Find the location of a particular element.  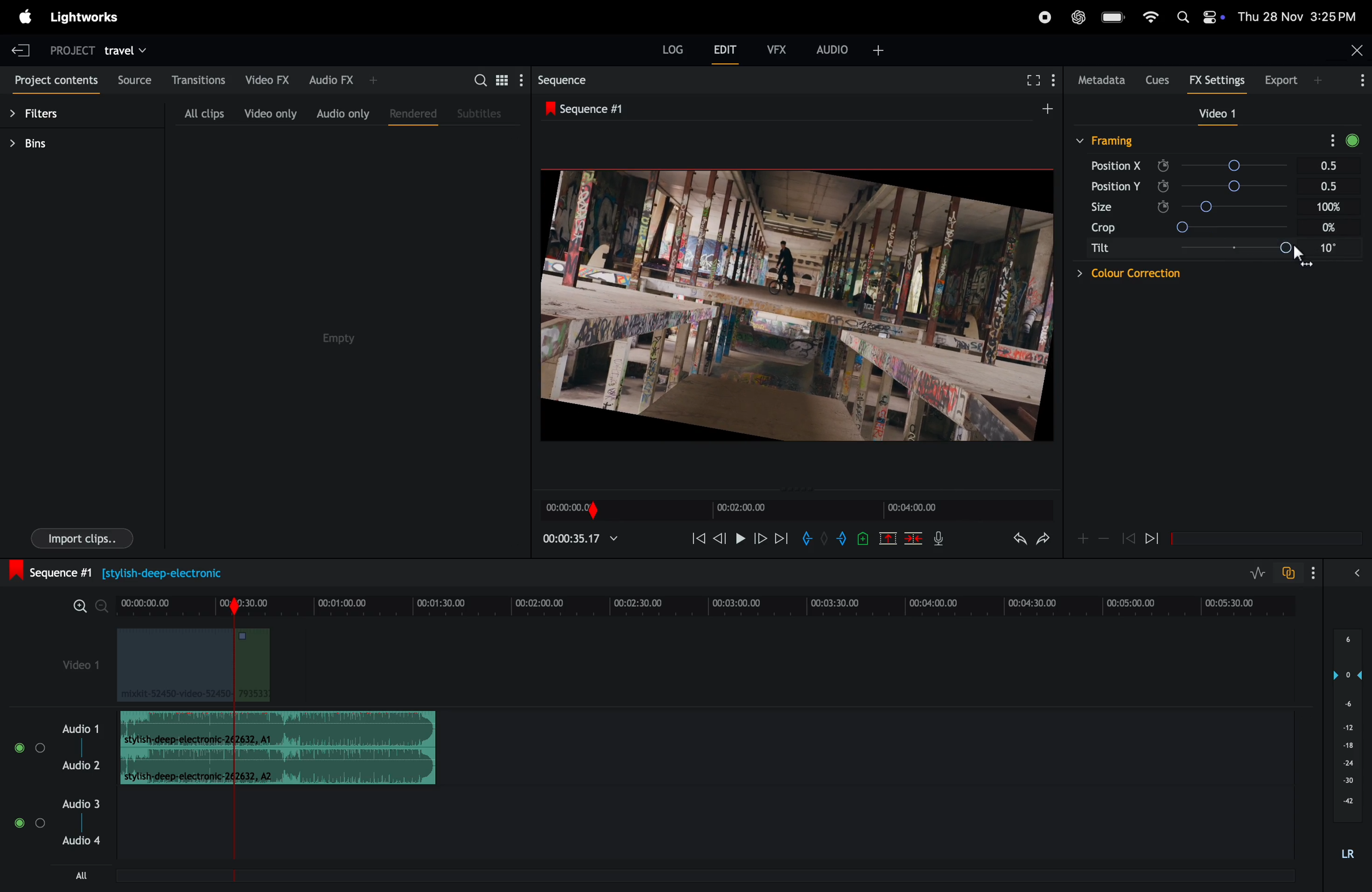

toggle audio levels is located at coordinates (1255, 571).